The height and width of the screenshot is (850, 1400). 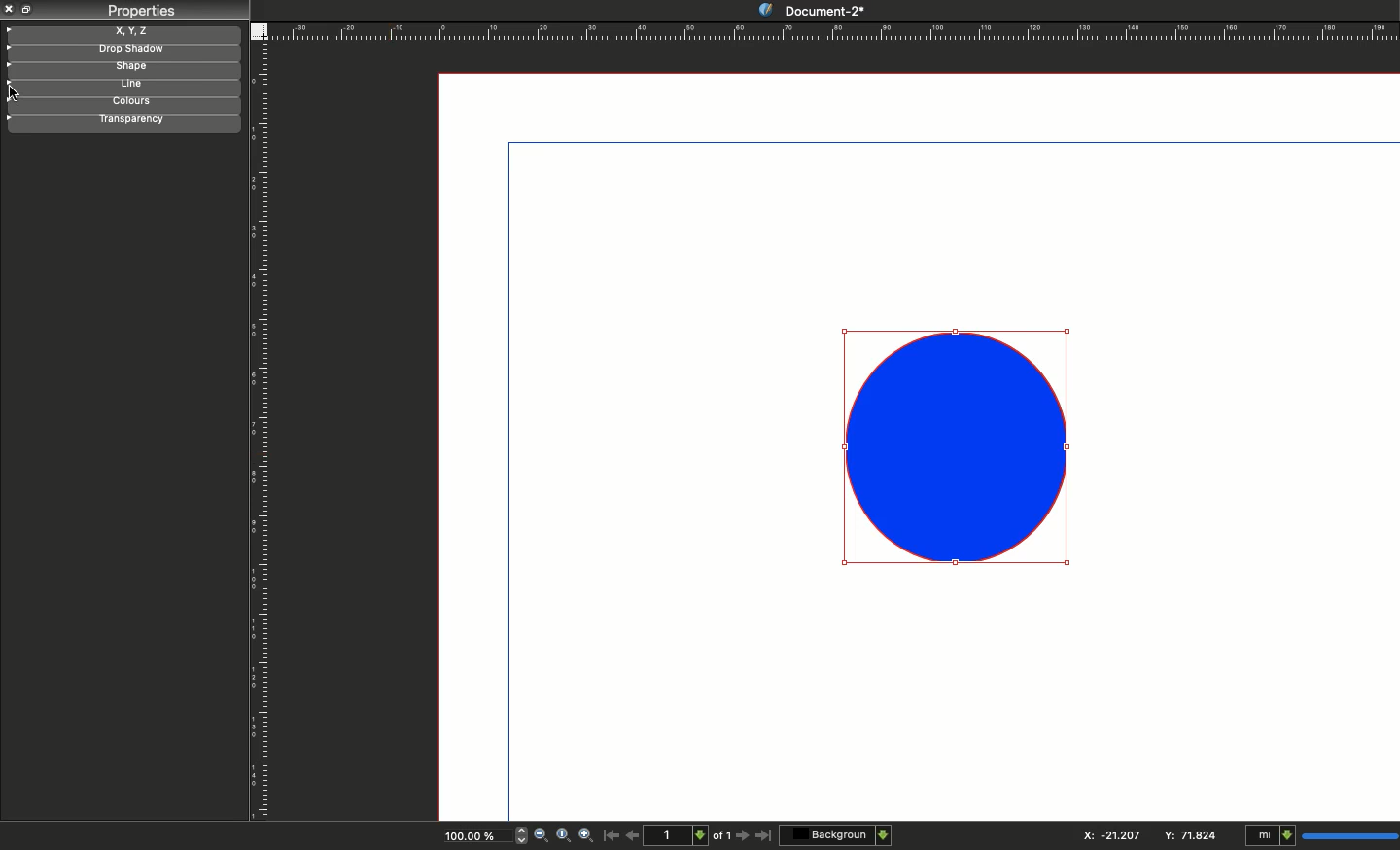 What do you see at coordinates (563, 834) in the screenshot?
I see `Zoom to` at bounding box center [563, 834].